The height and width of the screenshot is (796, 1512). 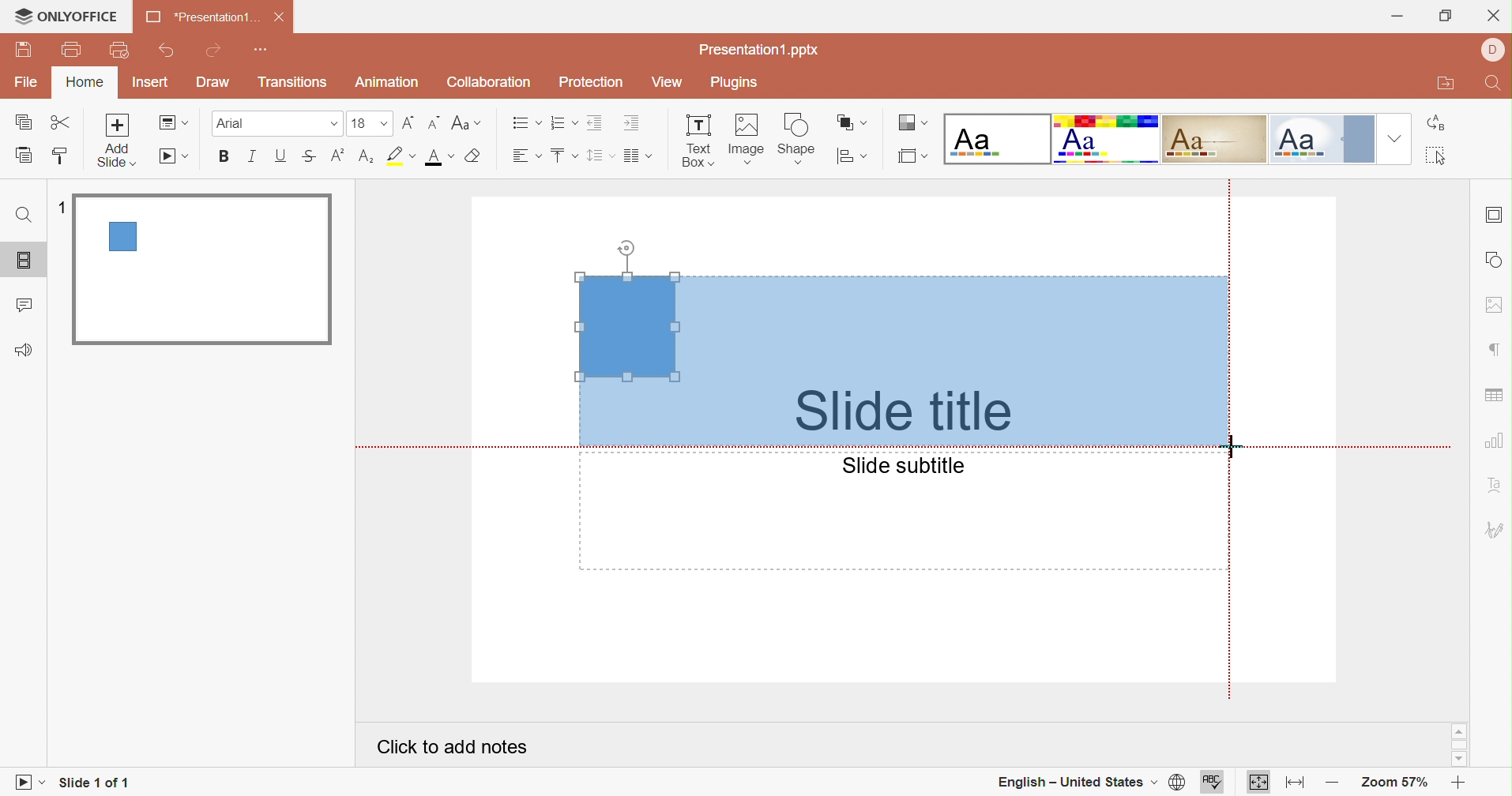 What do you see at coordinates (465, 123) in the screenshot?
I see `Change case` at bounding box center [465, 123].